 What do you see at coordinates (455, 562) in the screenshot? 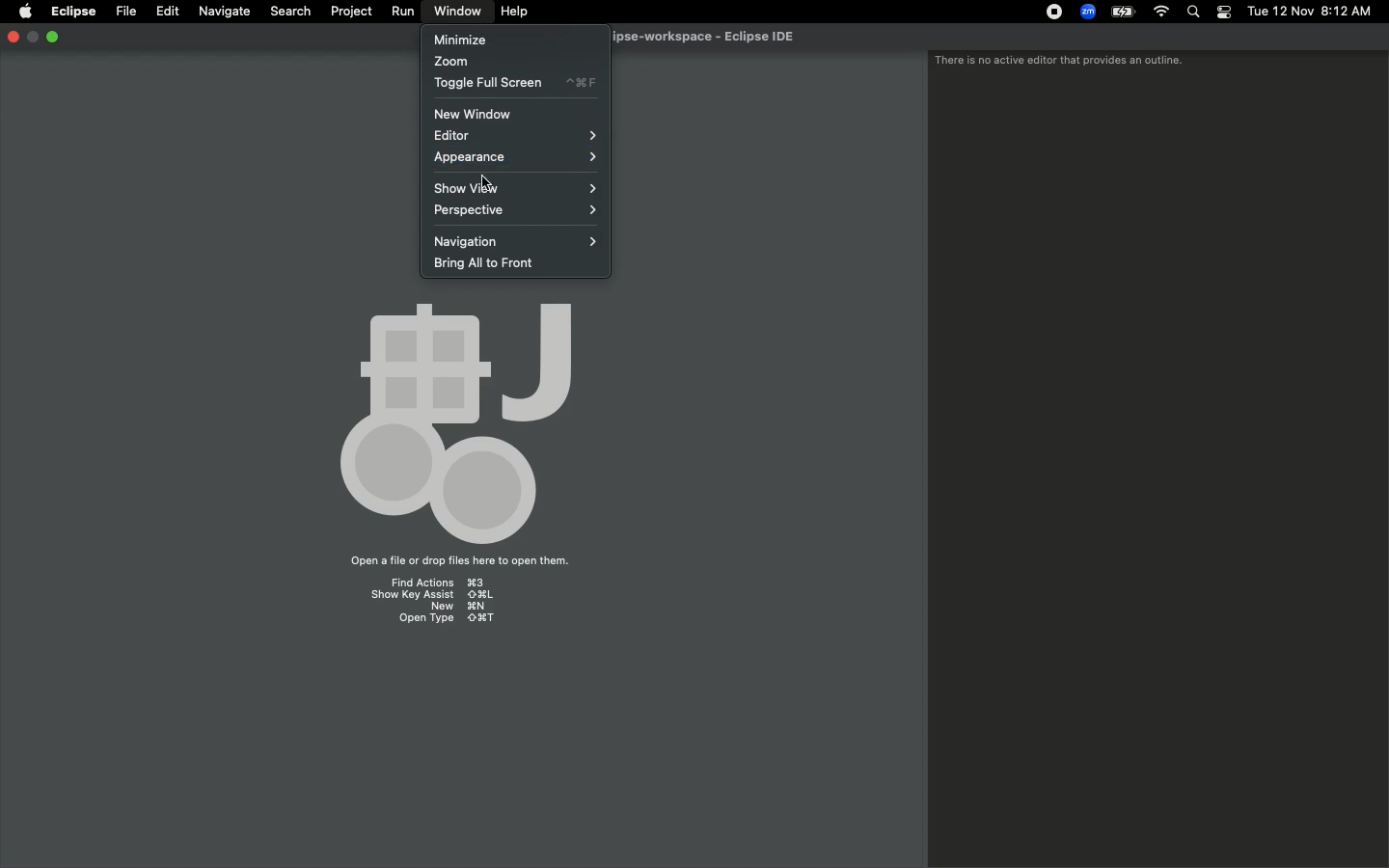
I see `Open a file or drop files here to open them` at bounding box center [455, 562].